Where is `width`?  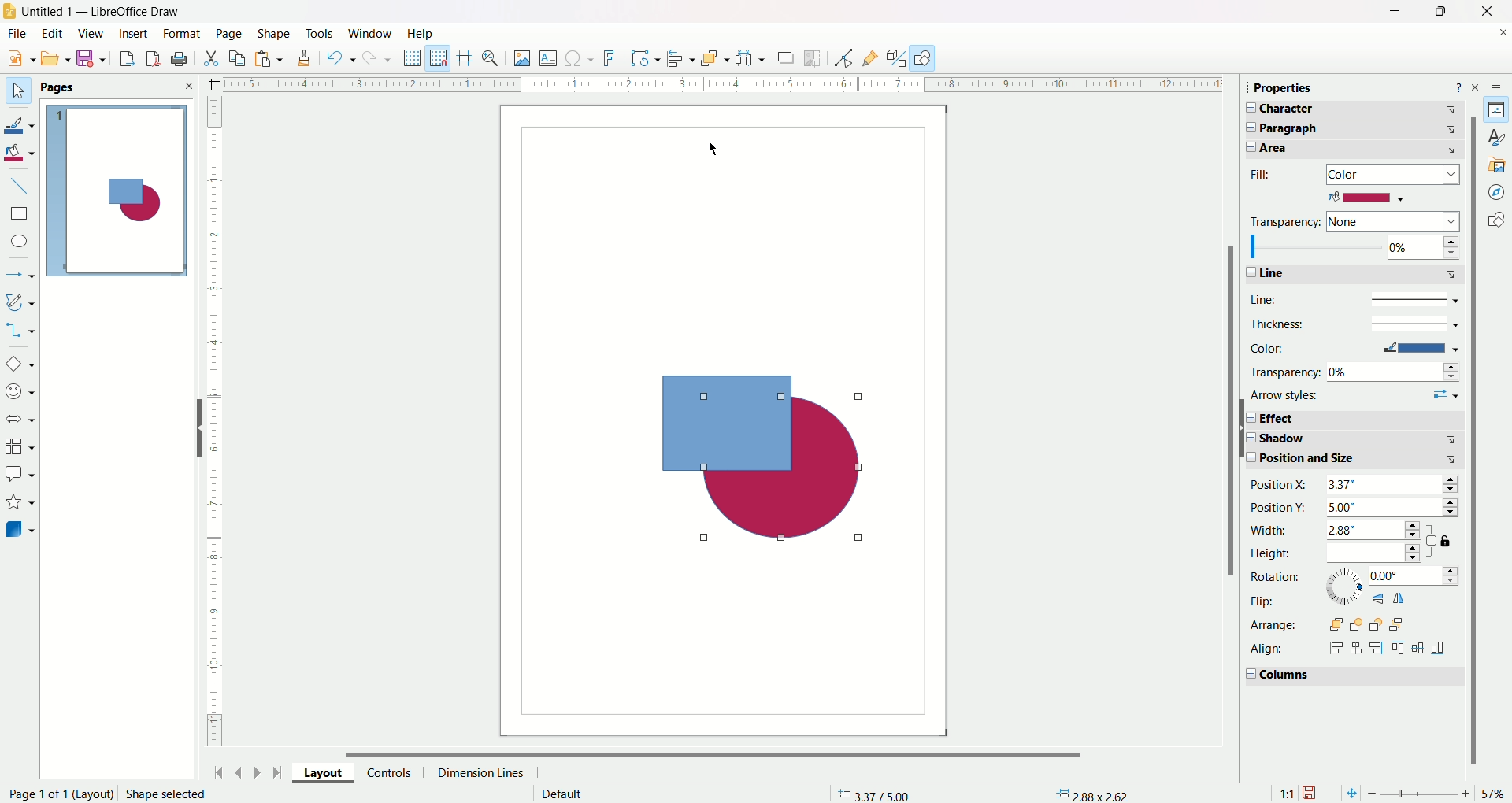 width is located at coordinates (1336, 531).